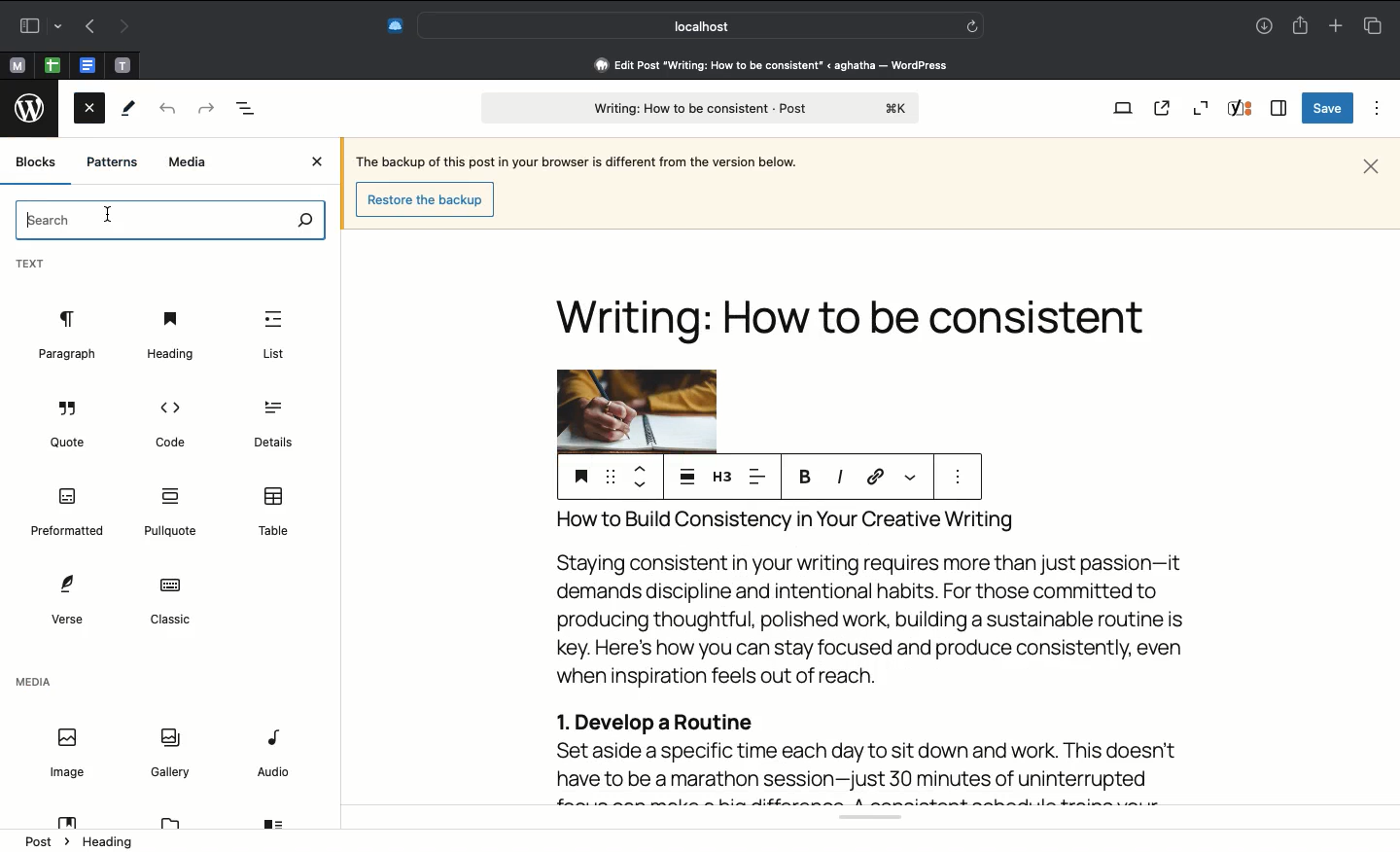 The height and width of the screenshot is (852, 1400). I want to click on Details, so click(270, 425).